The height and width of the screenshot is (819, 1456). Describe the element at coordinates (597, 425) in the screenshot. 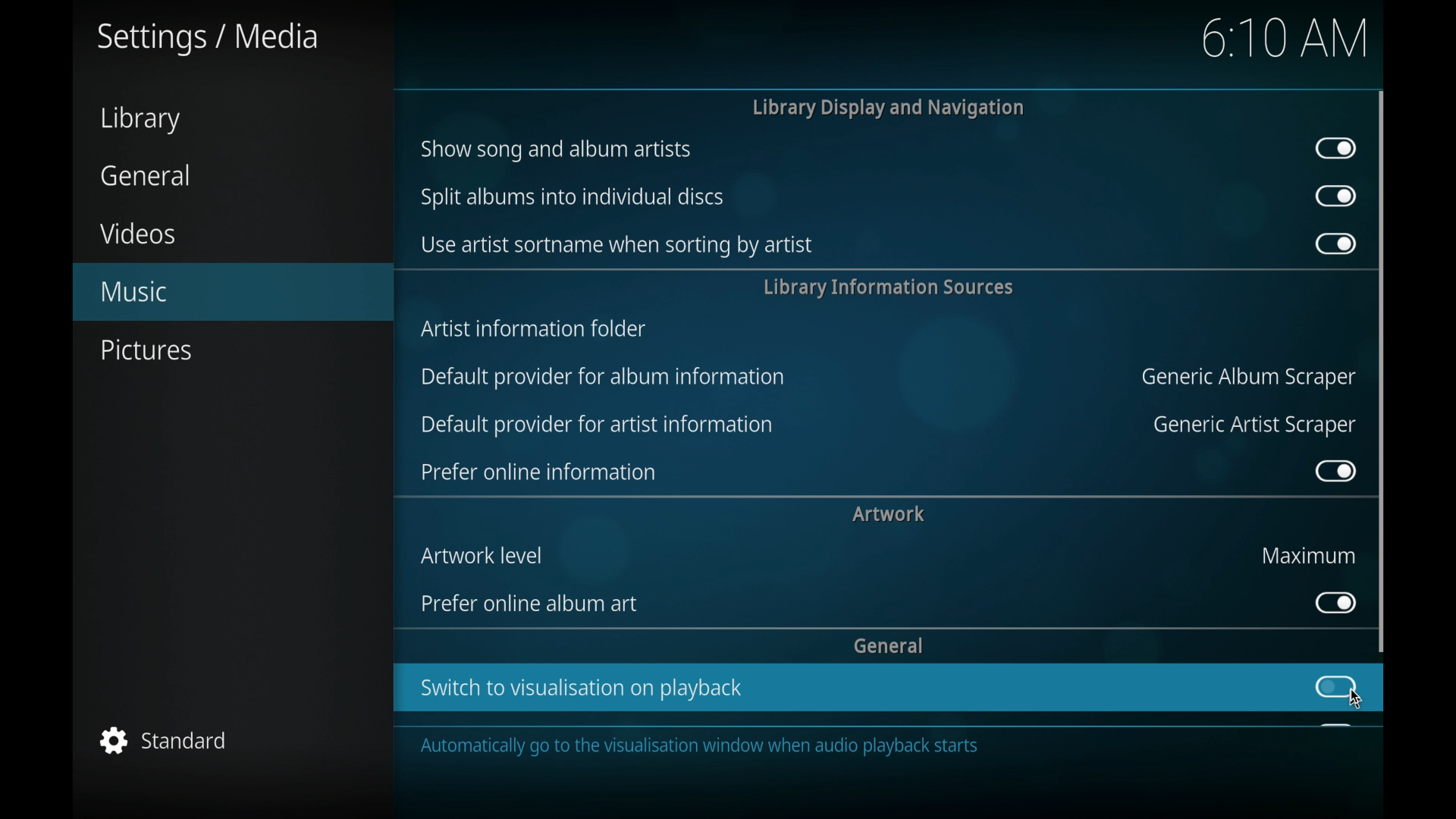

I see `default provider for artist information ` at that location.